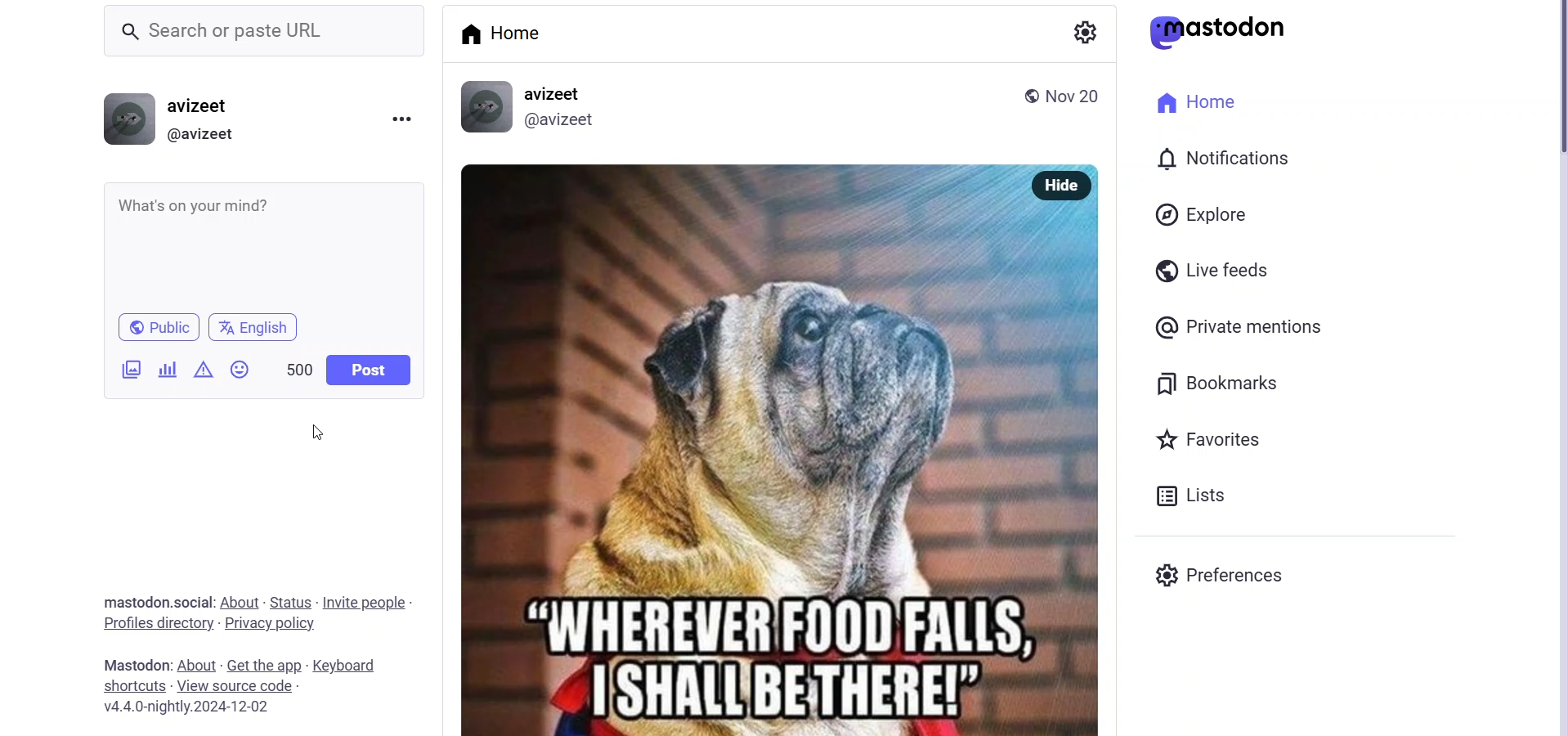 This screenshot has width=1568, height=736. I want to click on hide, so click(1064, 186).